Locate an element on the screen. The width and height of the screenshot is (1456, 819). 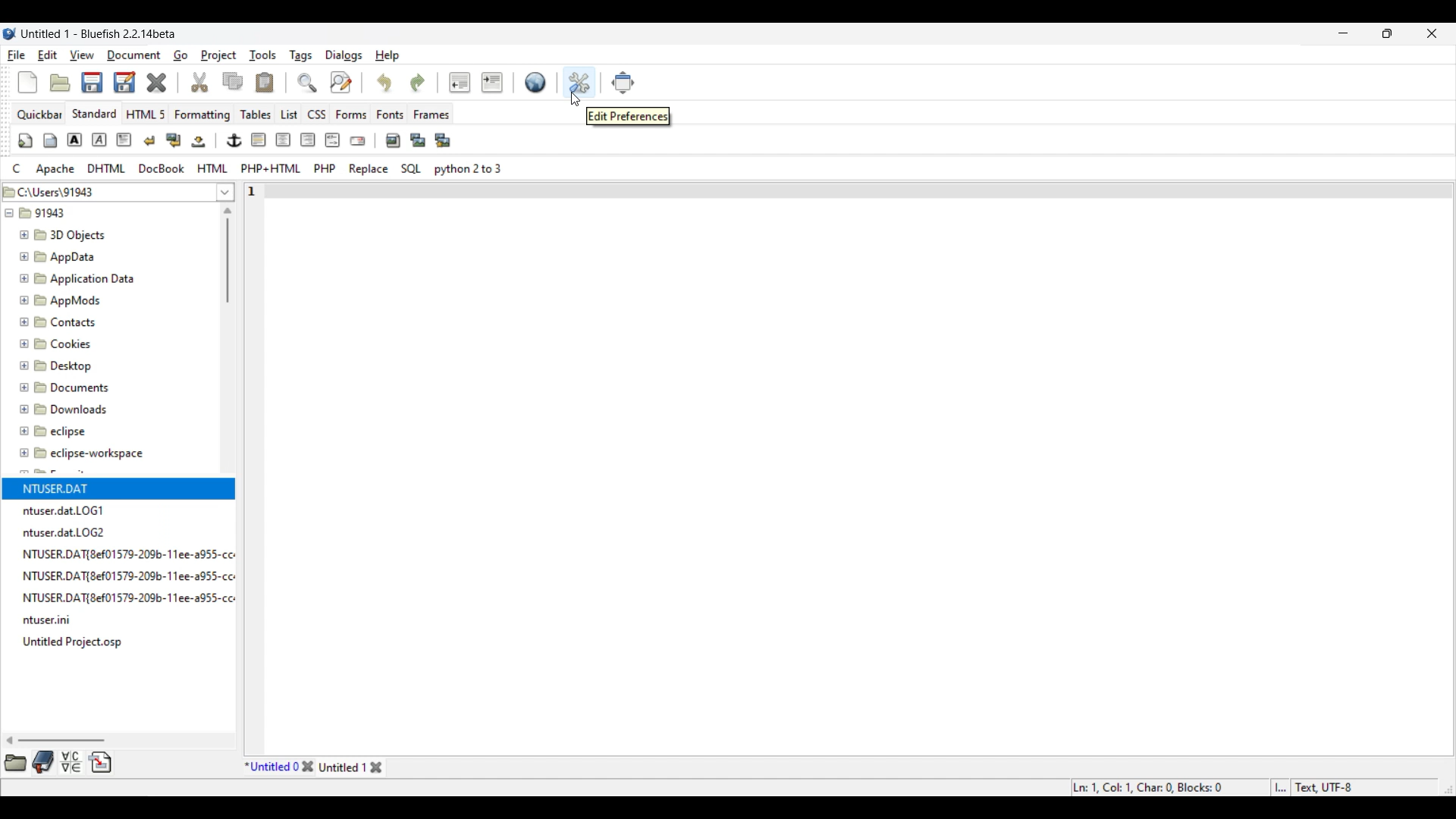
Help menu is located at coordinates (388, 56).